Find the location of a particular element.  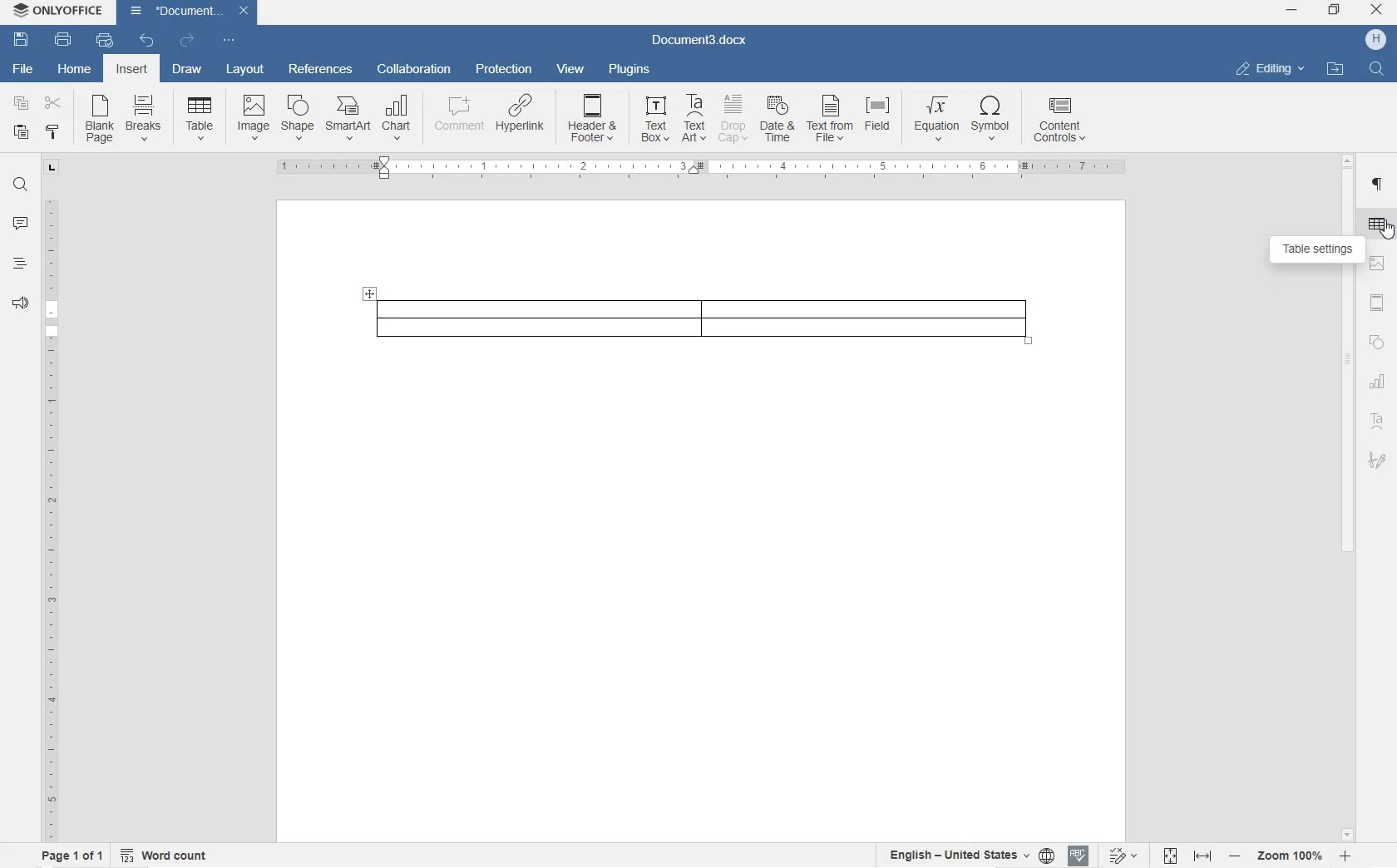

PROTECTION is located at coordinates (503, 71).